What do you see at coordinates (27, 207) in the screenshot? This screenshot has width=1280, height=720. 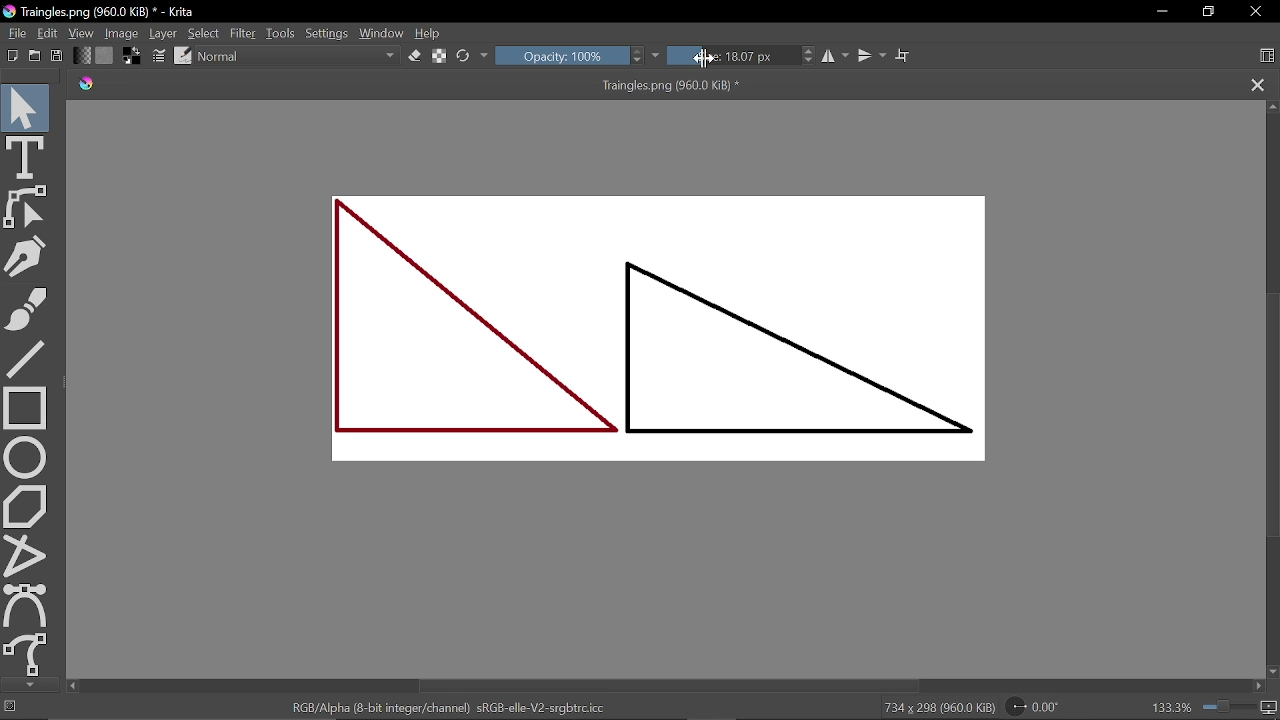 I see `Edit shapes tool` at bounding box center [27, 207].